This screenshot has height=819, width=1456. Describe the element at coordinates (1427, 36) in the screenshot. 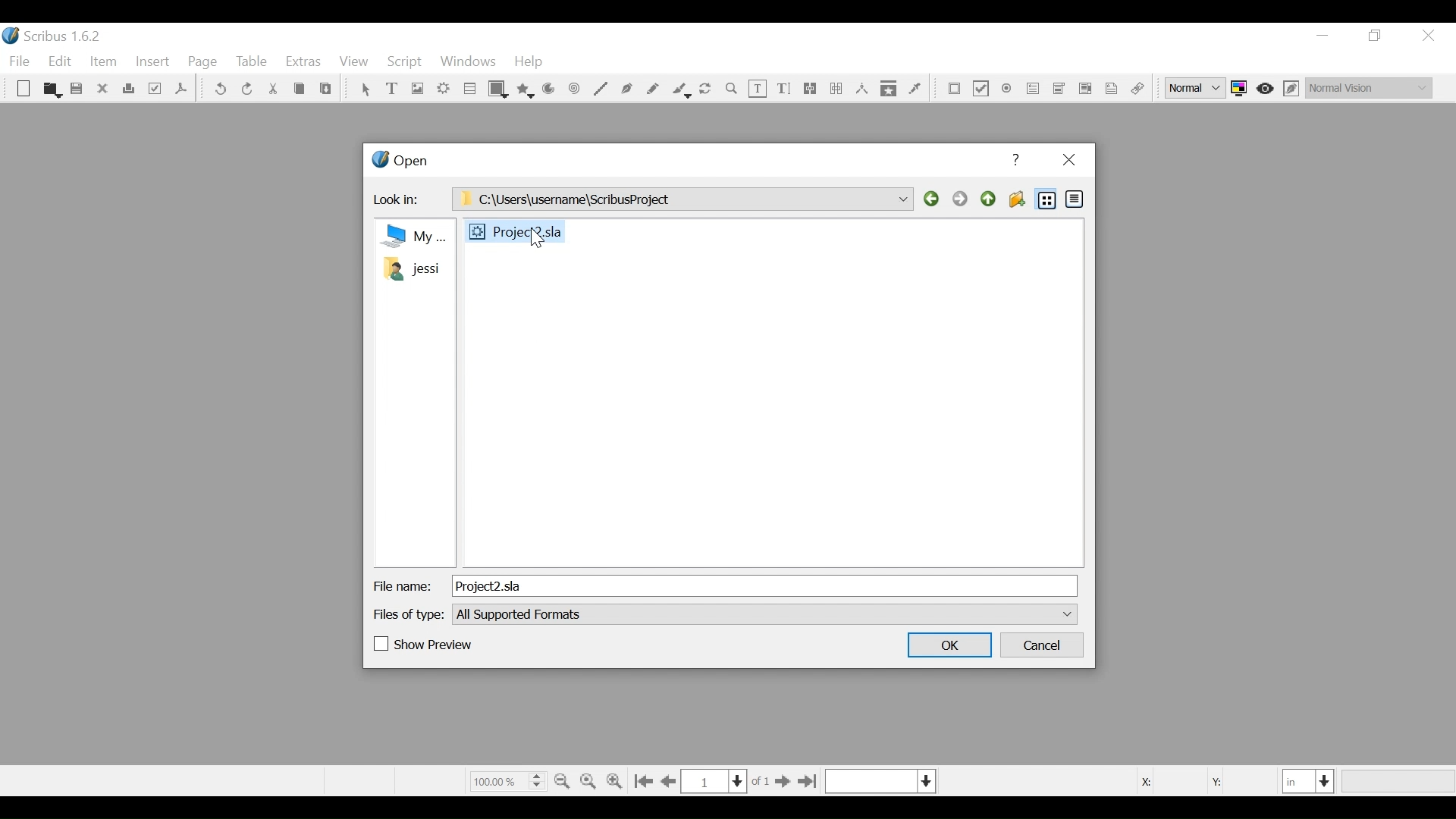

I see `Close` at that location.